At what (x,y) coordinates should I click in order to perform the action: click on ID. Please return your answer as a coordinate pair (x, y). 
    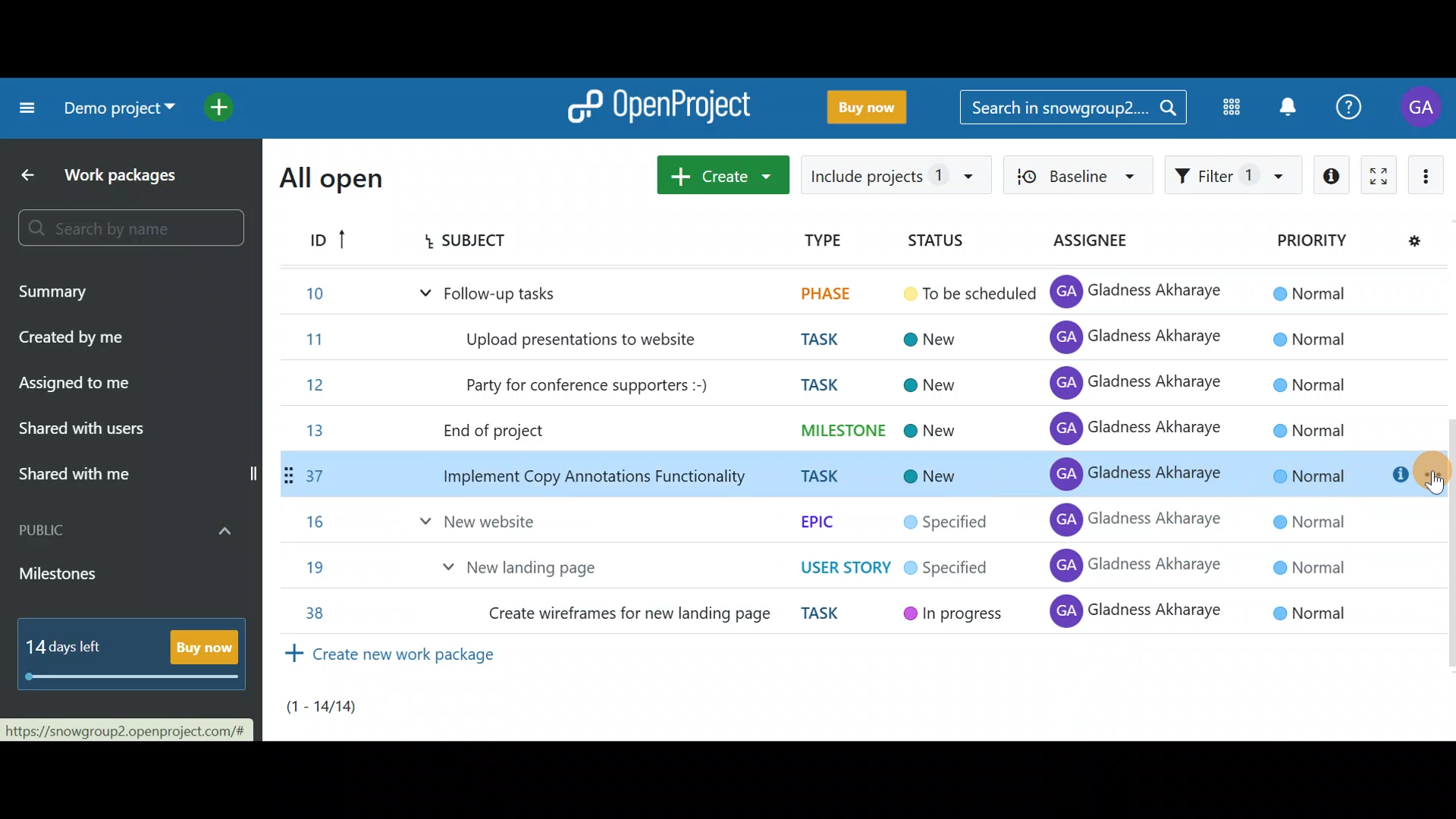
    Looking at the image, I should click on (328, 247).